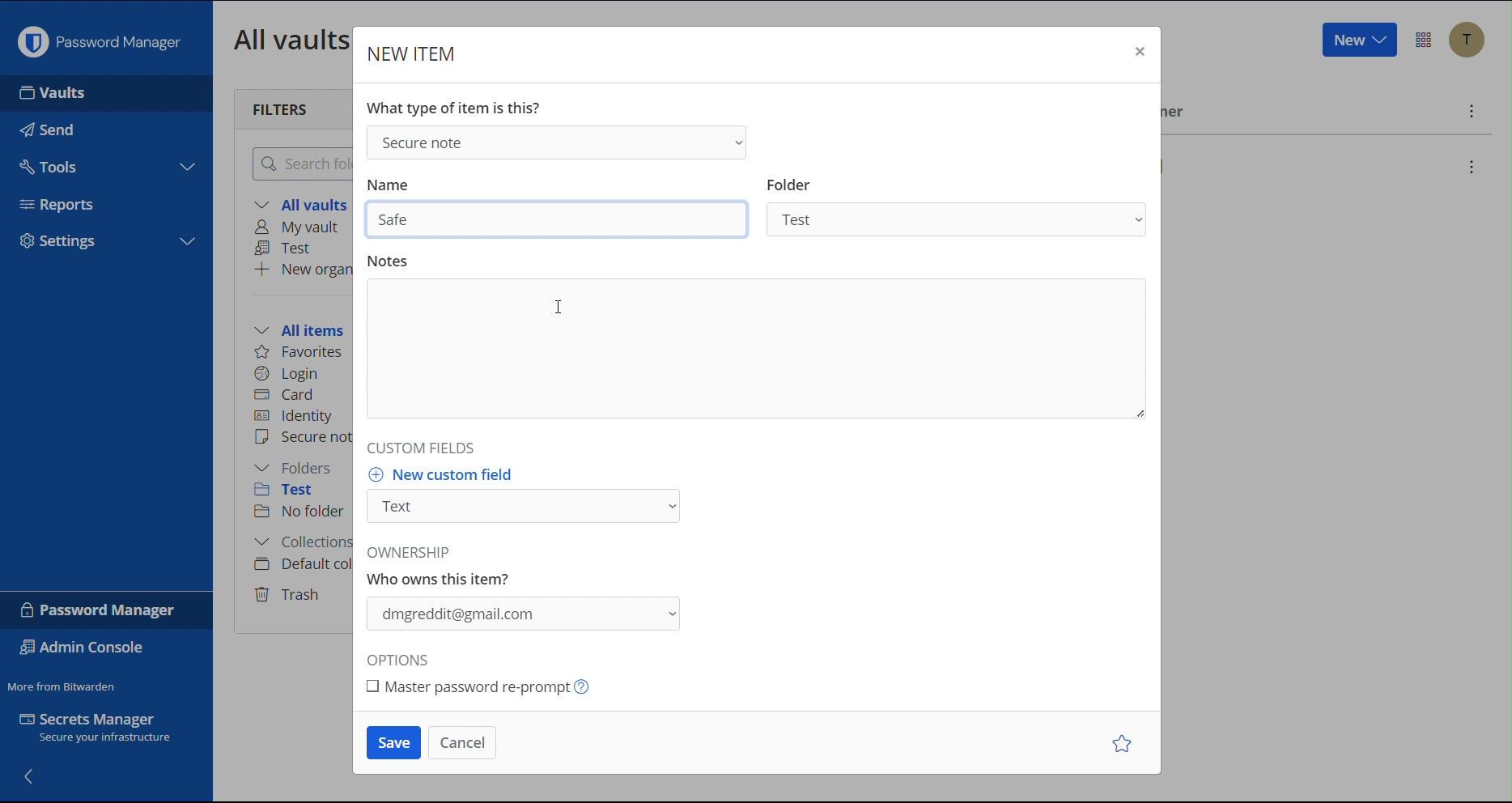 This screenshot has width=1512, height=803. What do you see at coordinates (107, 200) in the screenshot?
I see `Reports` at bounding box center [107, 200].